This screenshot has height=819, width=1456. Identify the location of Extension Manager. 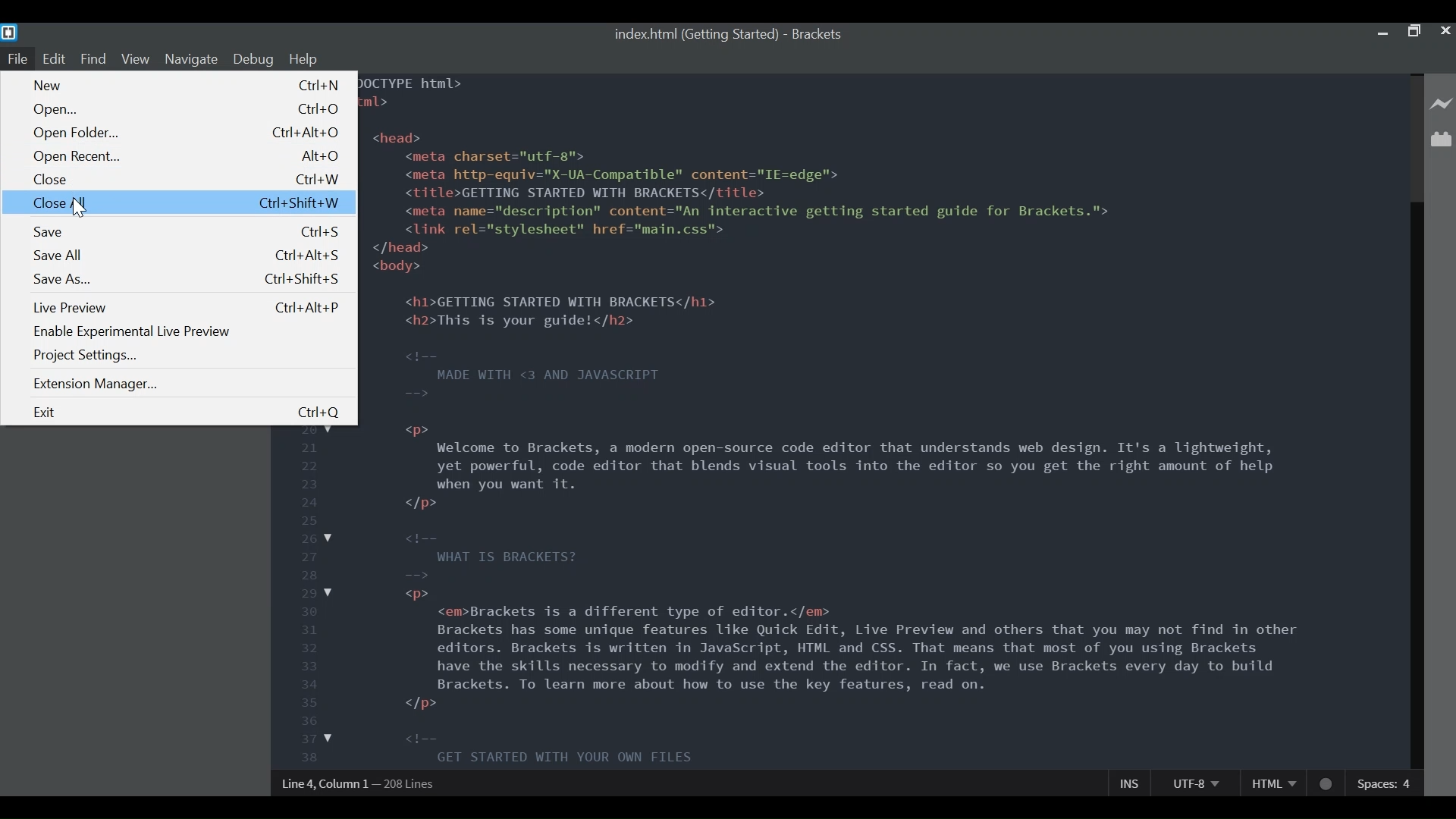
(99, 383).